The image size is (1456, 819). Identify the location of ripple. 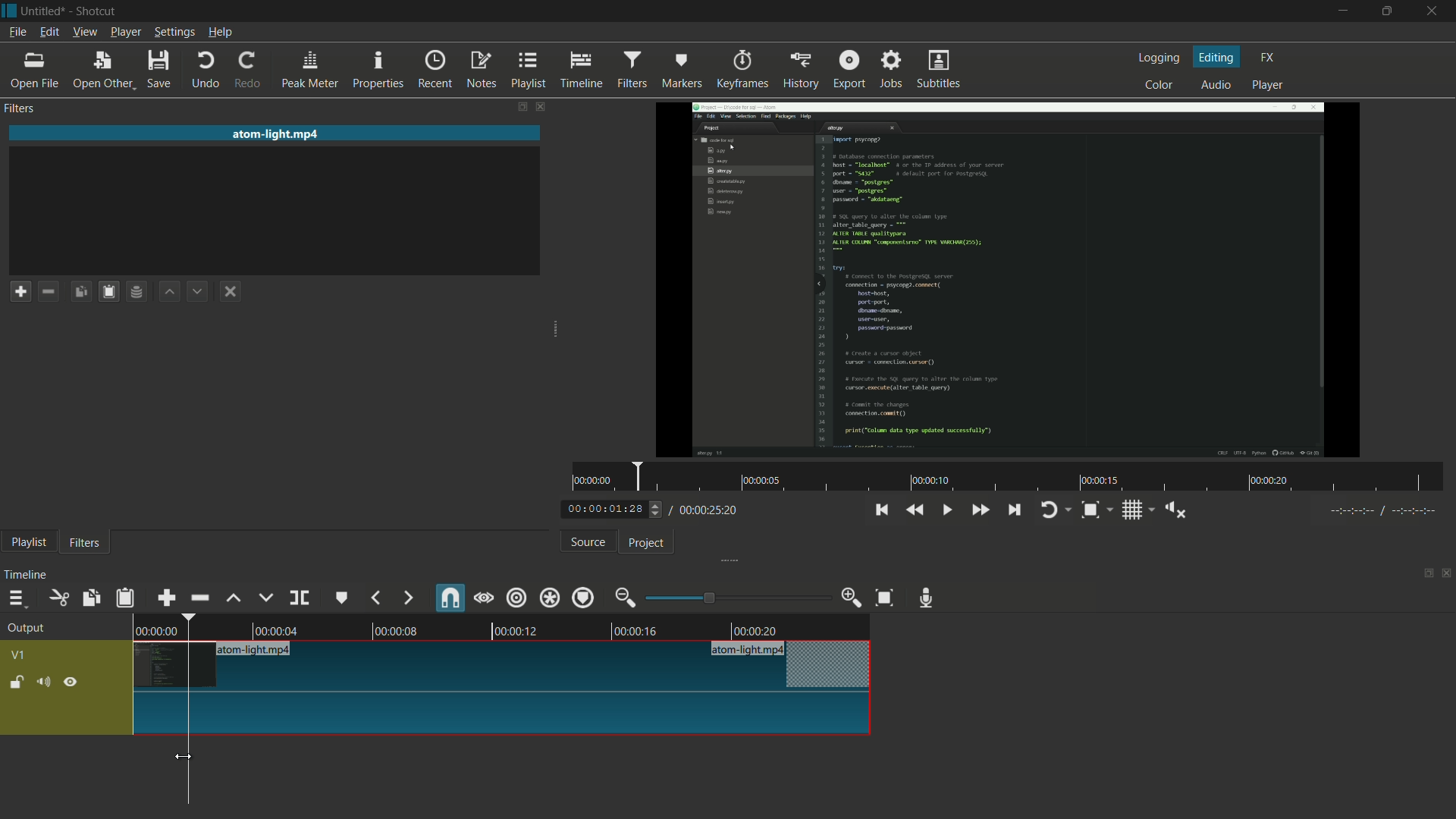
(517, 599).